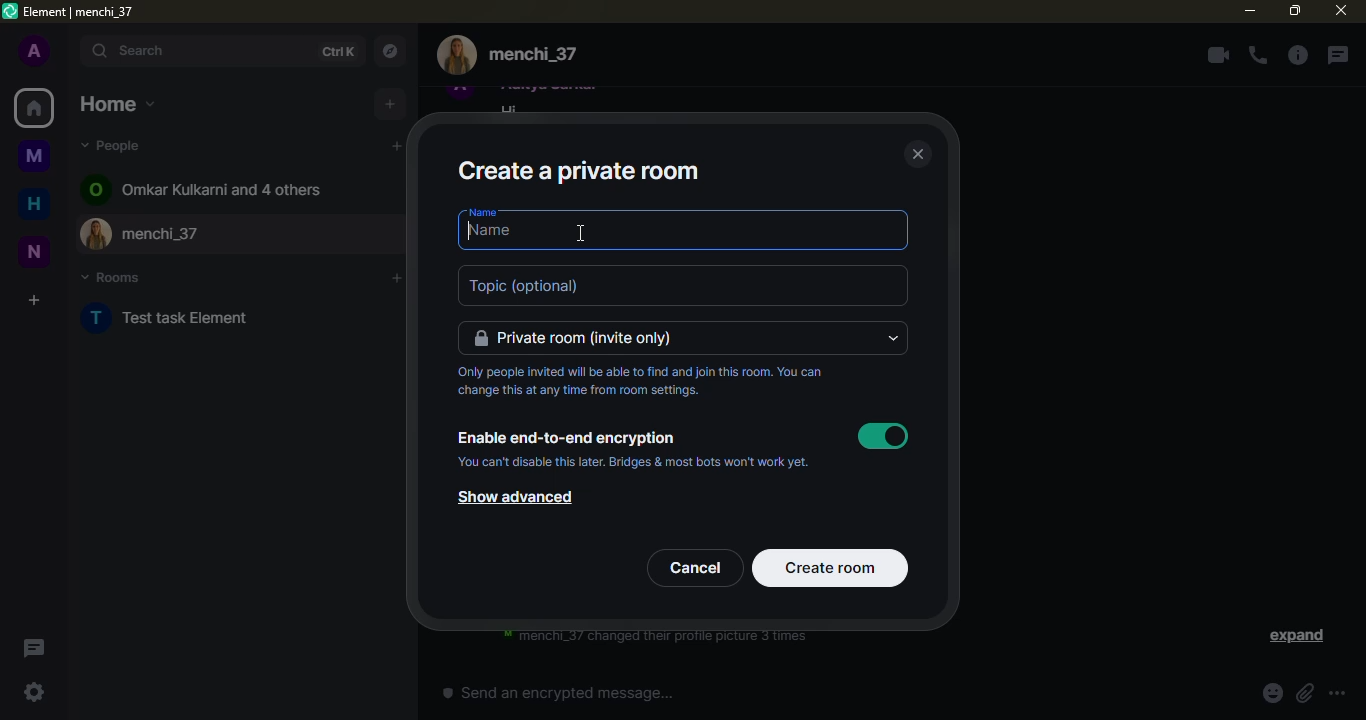 The image size is (1366, 720). What do you see at coordinates (671, 338) in the screenshot?
I see `Input space for private room (invite only)` at bounding box center [671, 338].